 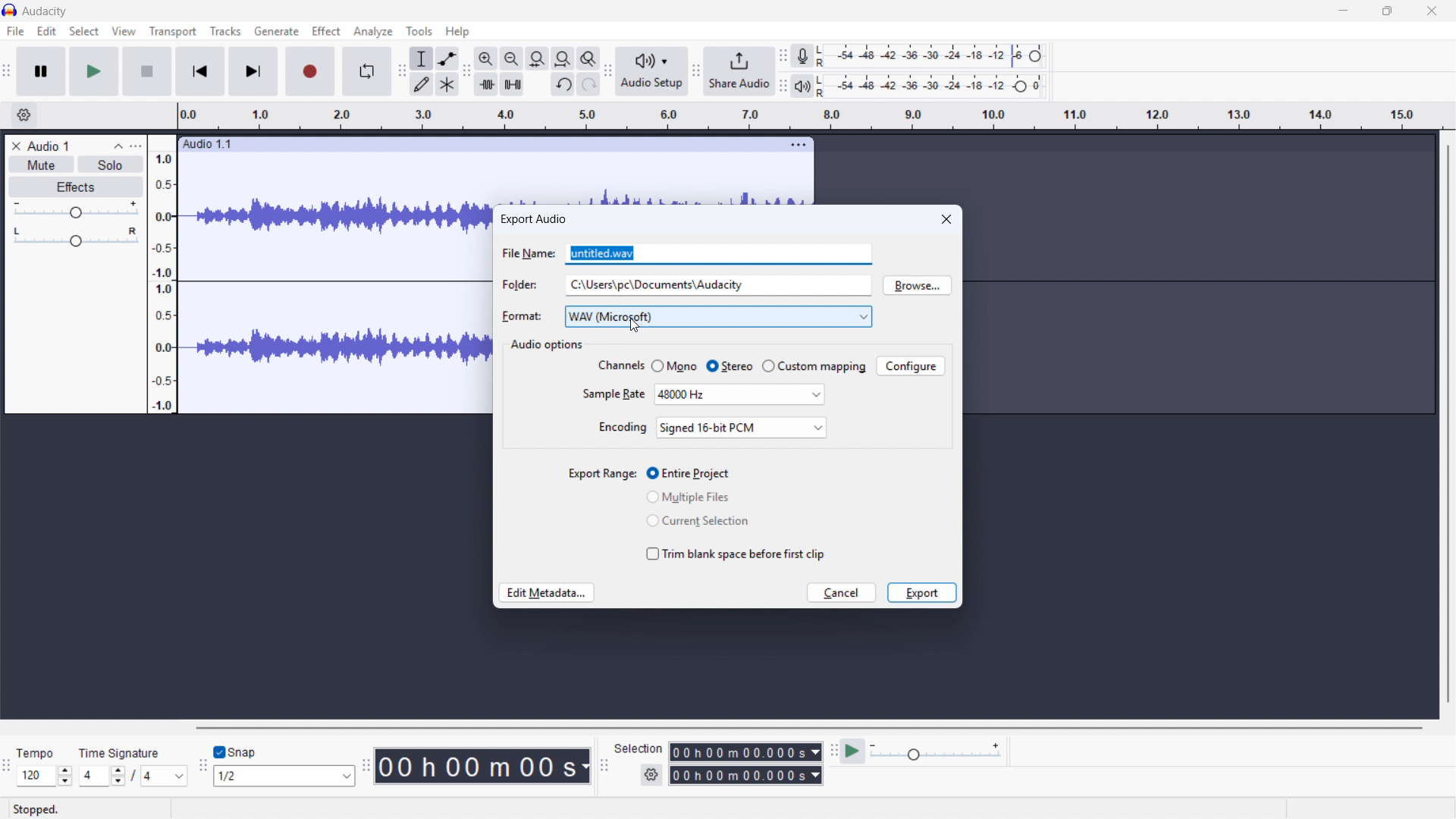 I want to click on Mute , so click(x=40, y=164).